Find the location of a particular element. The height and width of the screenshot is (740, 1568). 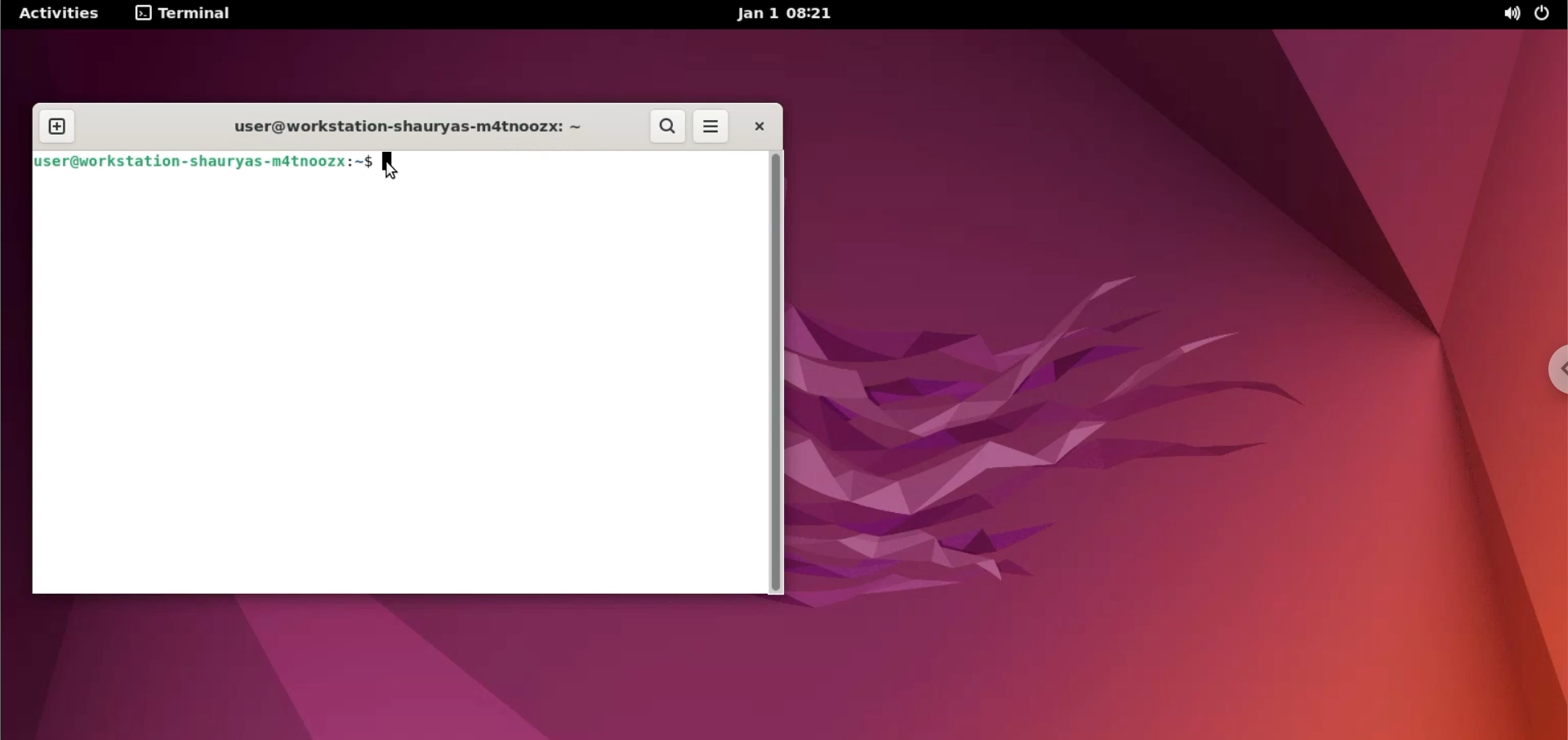

user@workstation-shauryas-matnoozx:~$ is located at coordinates (204, 163).